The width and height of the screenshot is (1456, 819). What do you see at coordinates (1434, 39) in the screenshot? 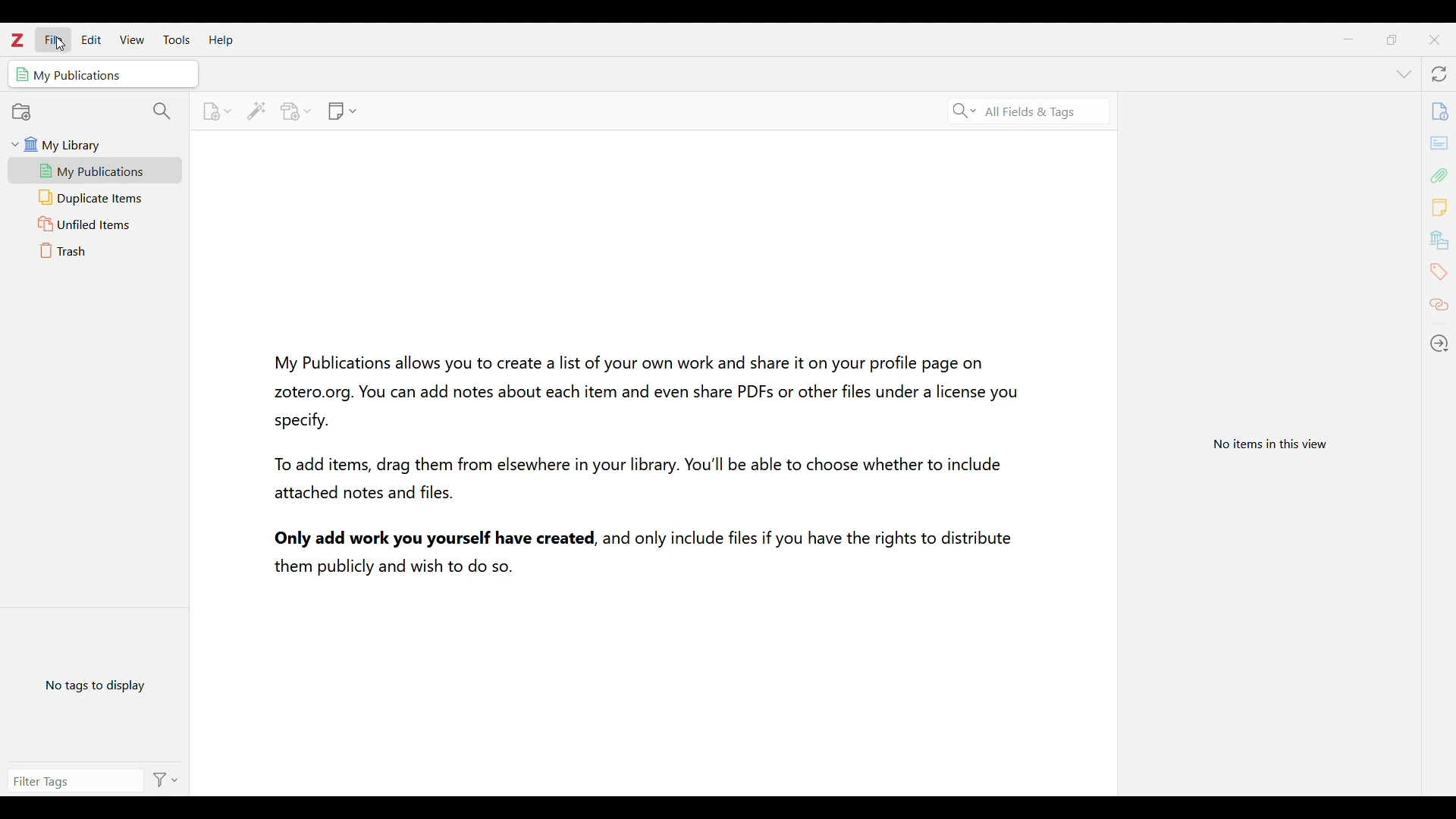
I see `Close interface` at bounding box center [1434, 39].